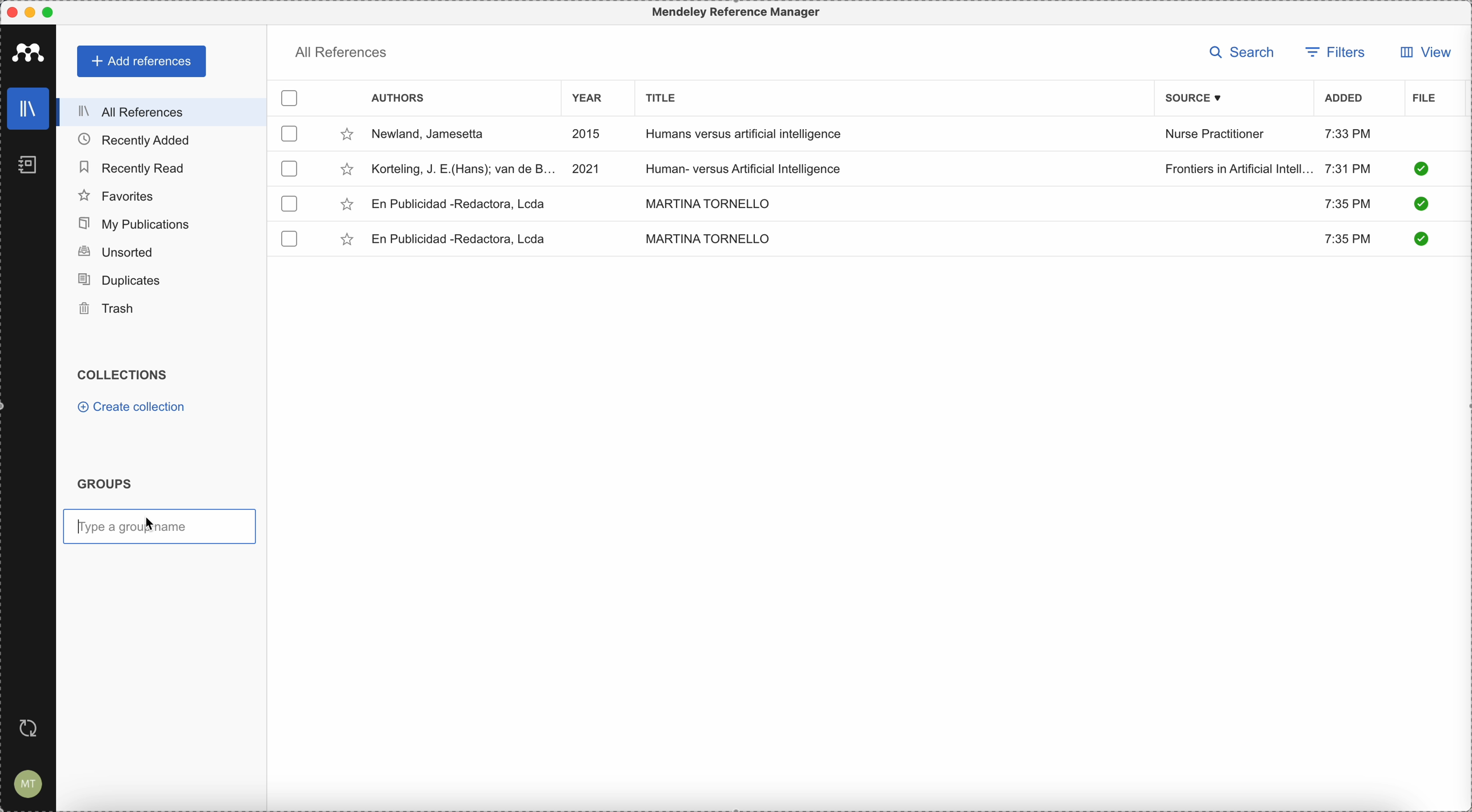 This screenshot has width=1472, height=812. Describe the element at coordinates (29, 50) in the screenshot. I see `Mendeley icon` at that location.